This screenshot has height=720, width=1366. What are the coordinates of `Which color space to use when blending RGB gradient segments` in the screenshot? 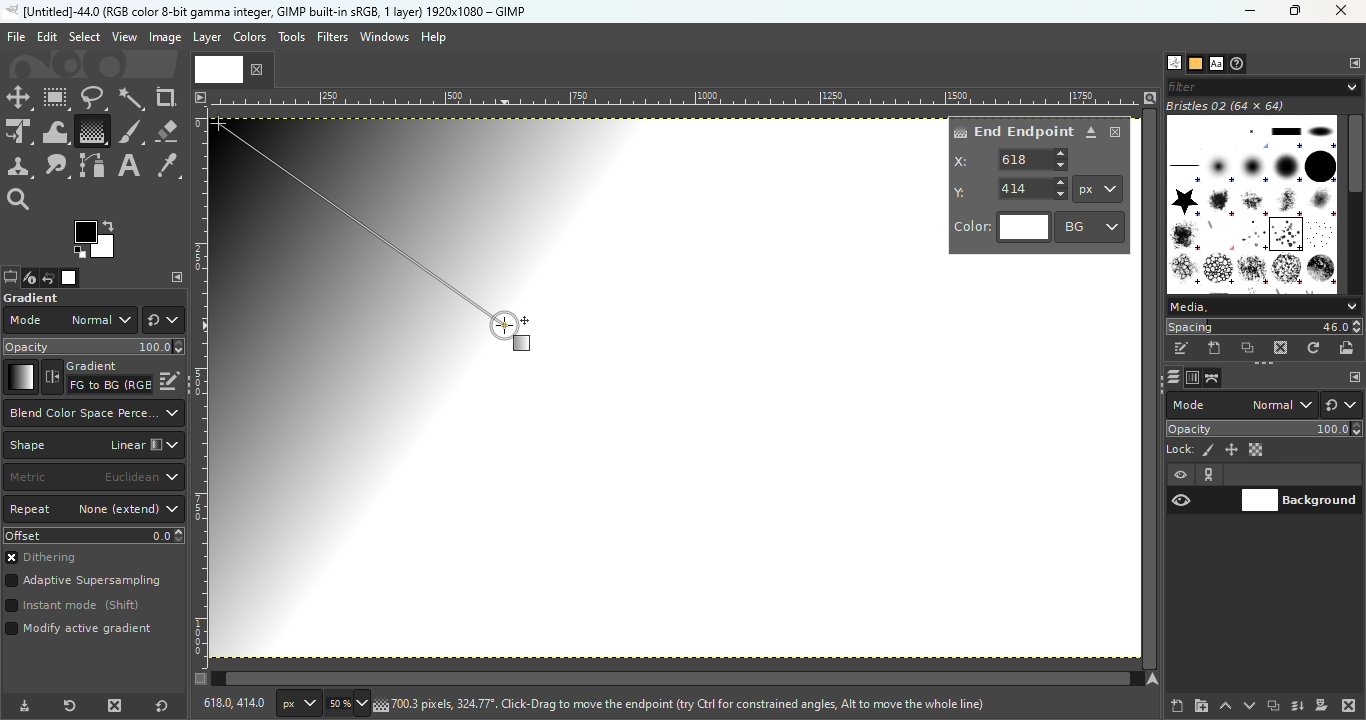 It's located at (92, 413).